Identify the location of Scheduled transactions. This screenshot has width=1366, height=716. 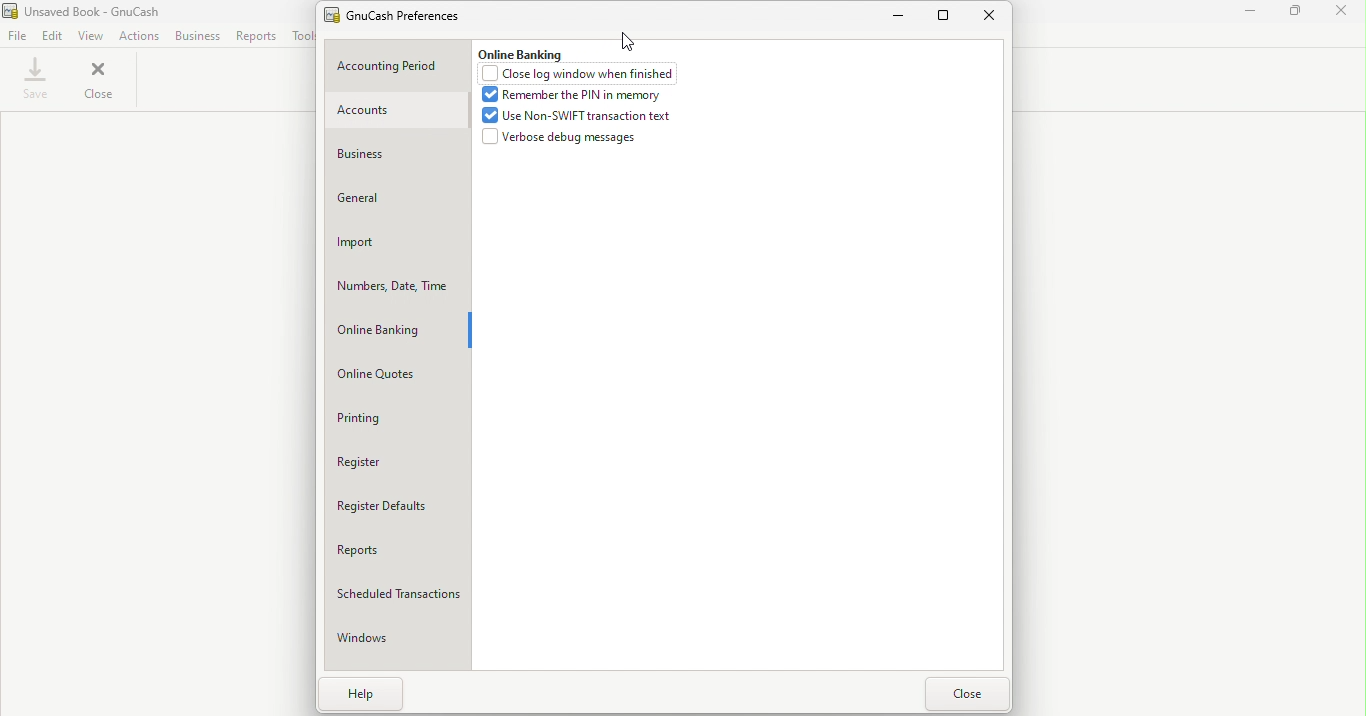
(400, 594).